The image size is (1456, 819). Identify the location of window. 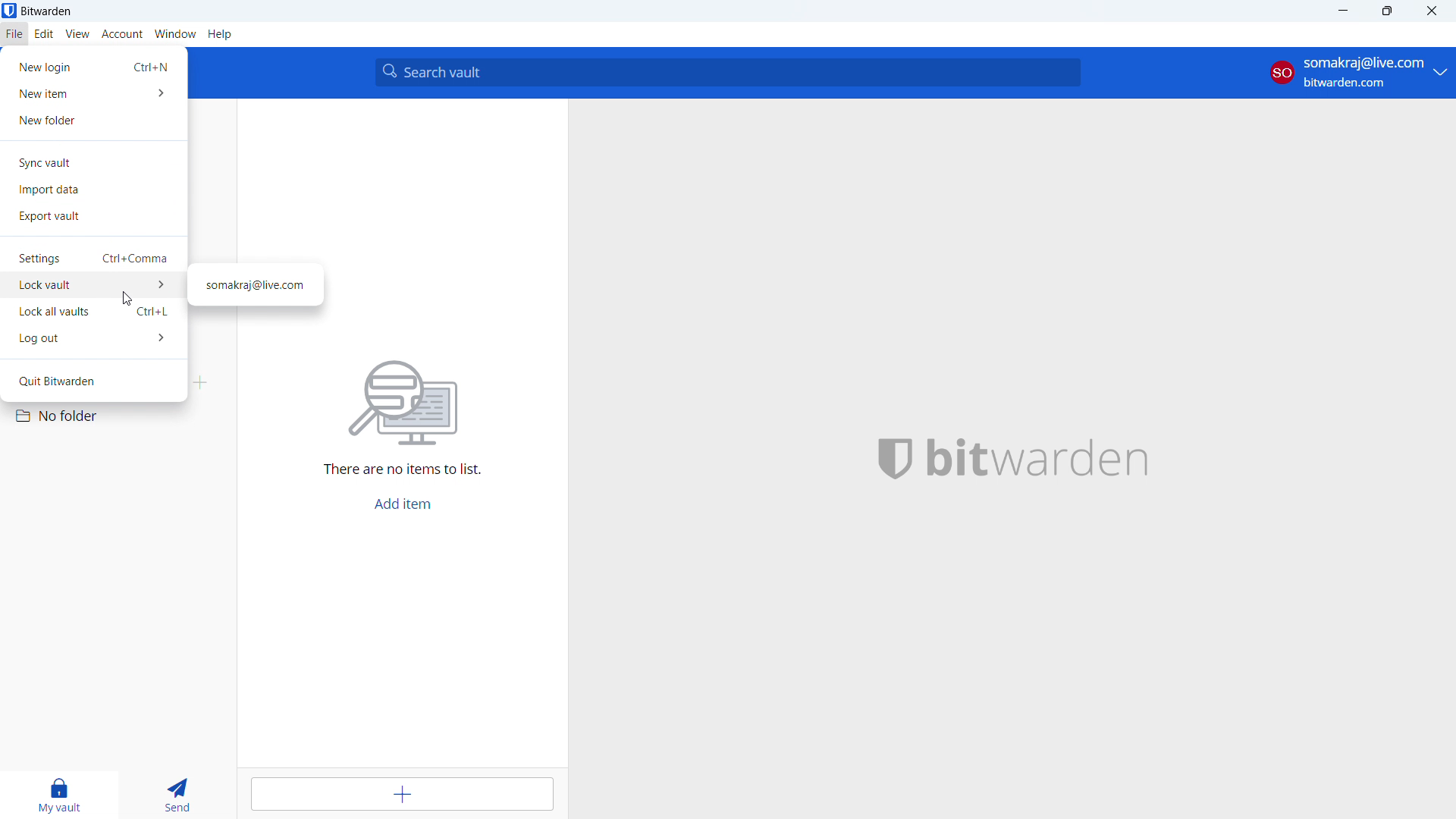
(176, 34).